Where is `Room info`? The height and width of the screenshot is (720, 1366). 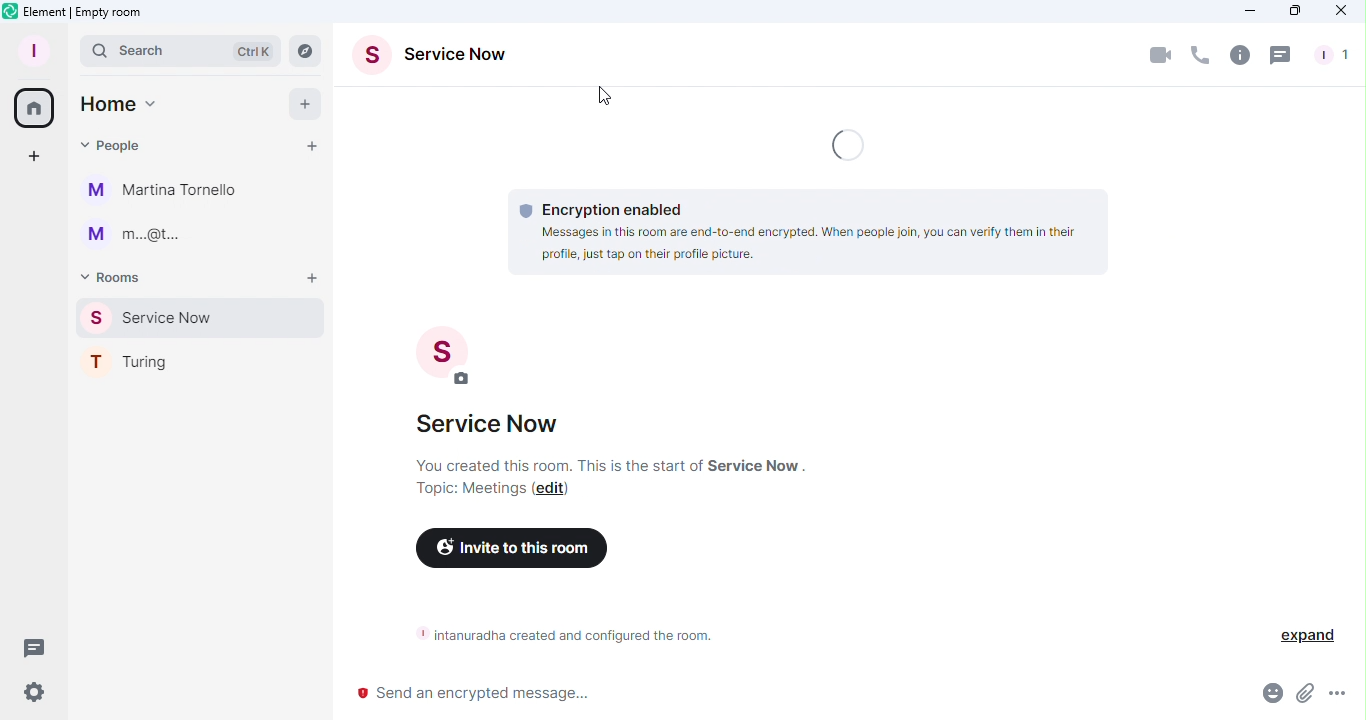
Room info is located at coordinates (1239, 54).